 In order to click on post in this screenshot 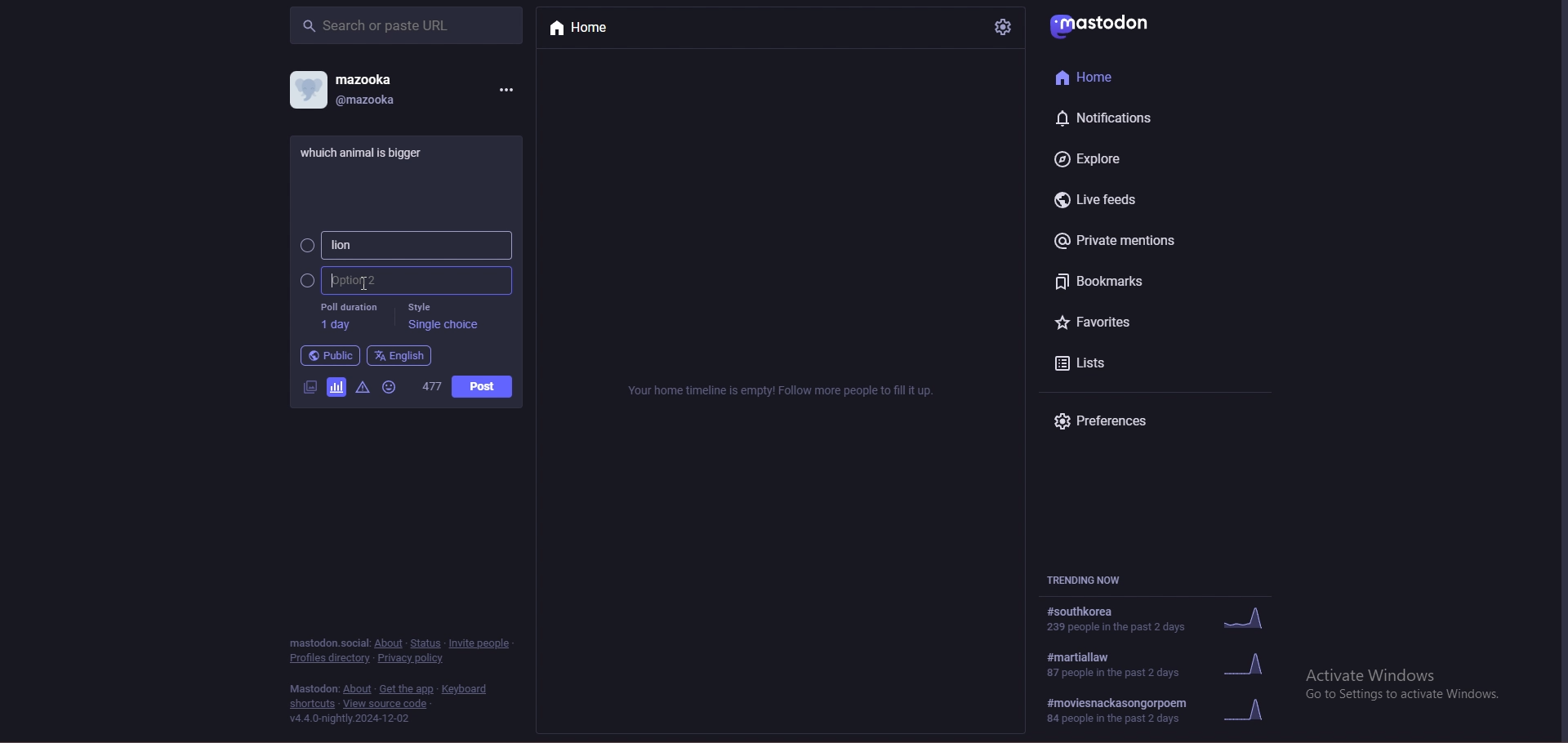, I will do `click(483, 386)`.